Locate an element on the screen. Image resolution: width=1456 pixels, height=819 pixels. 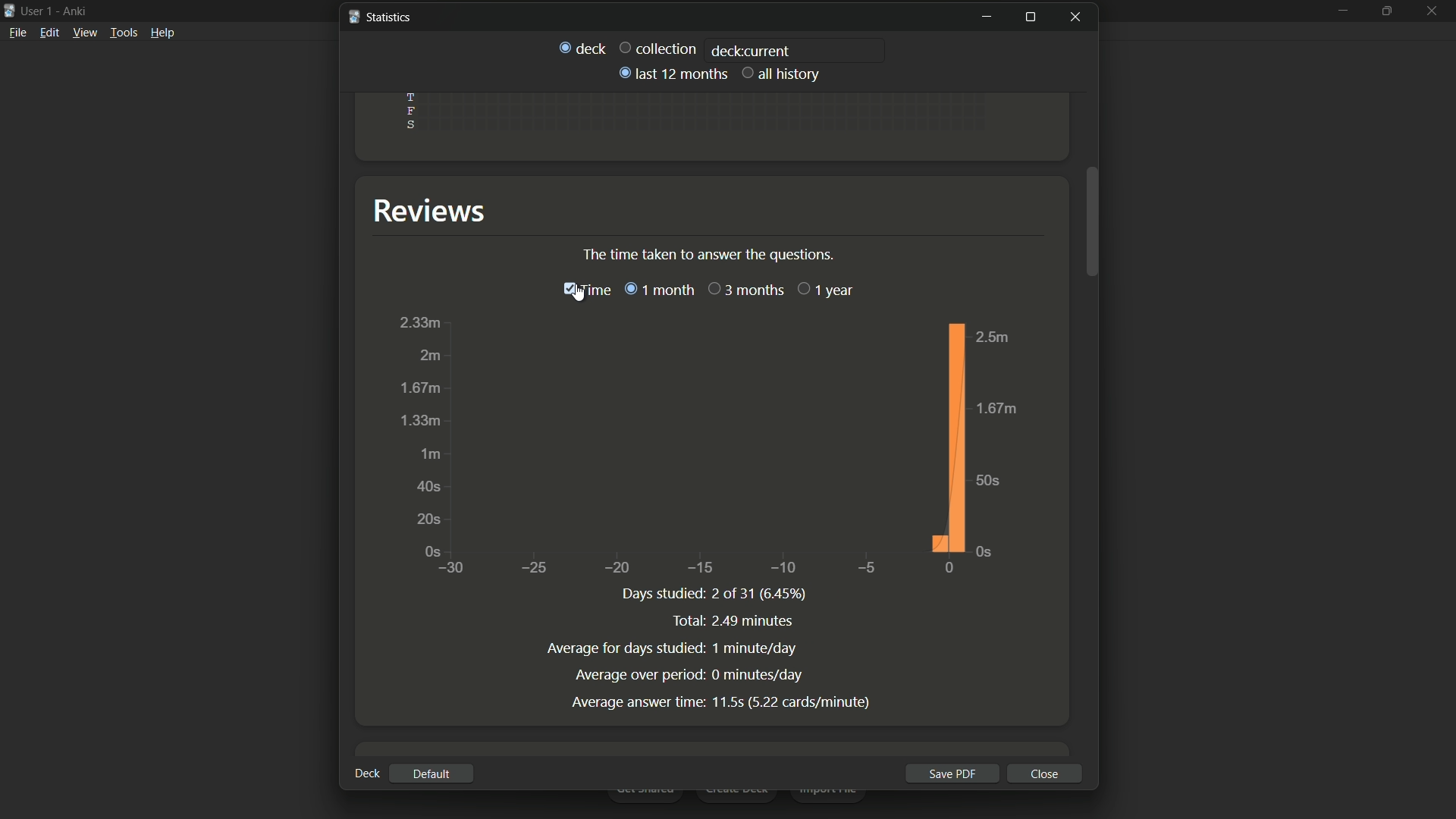
all history is located at coordinates (782, 73).